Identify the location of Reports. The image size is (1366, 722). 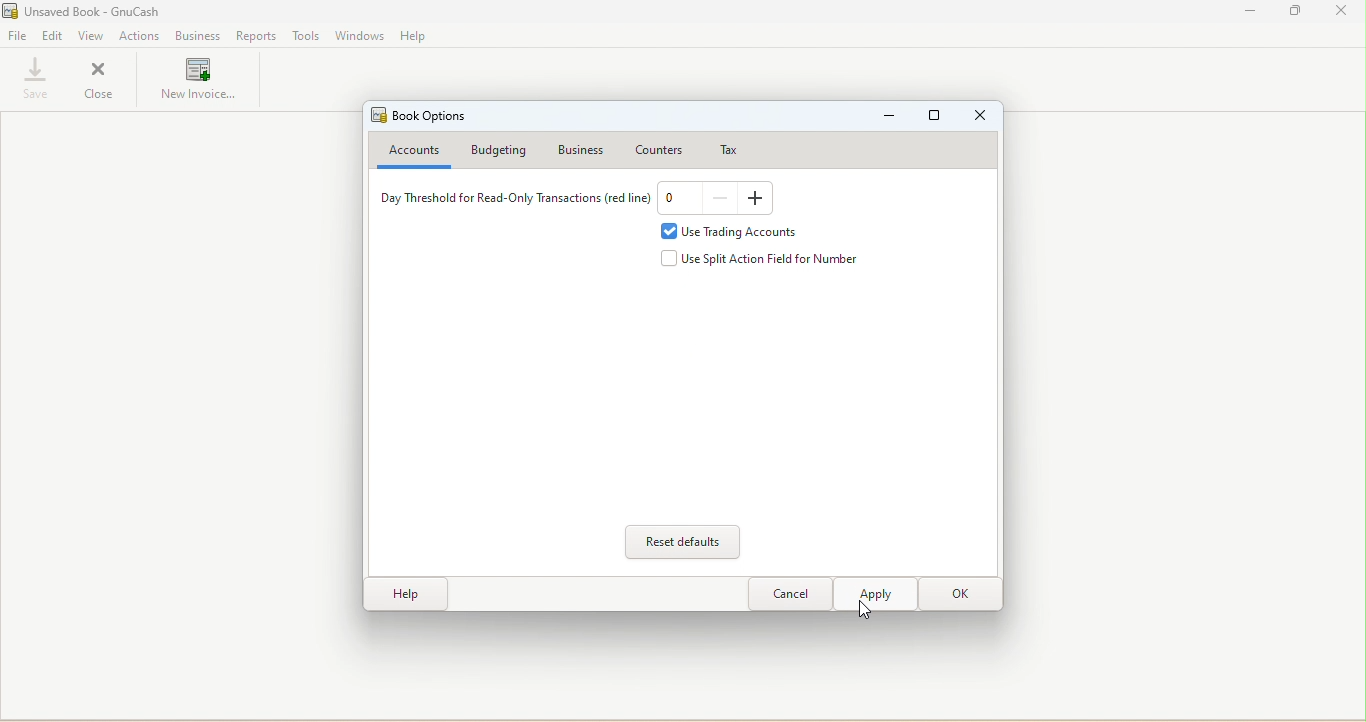
(253, 35).